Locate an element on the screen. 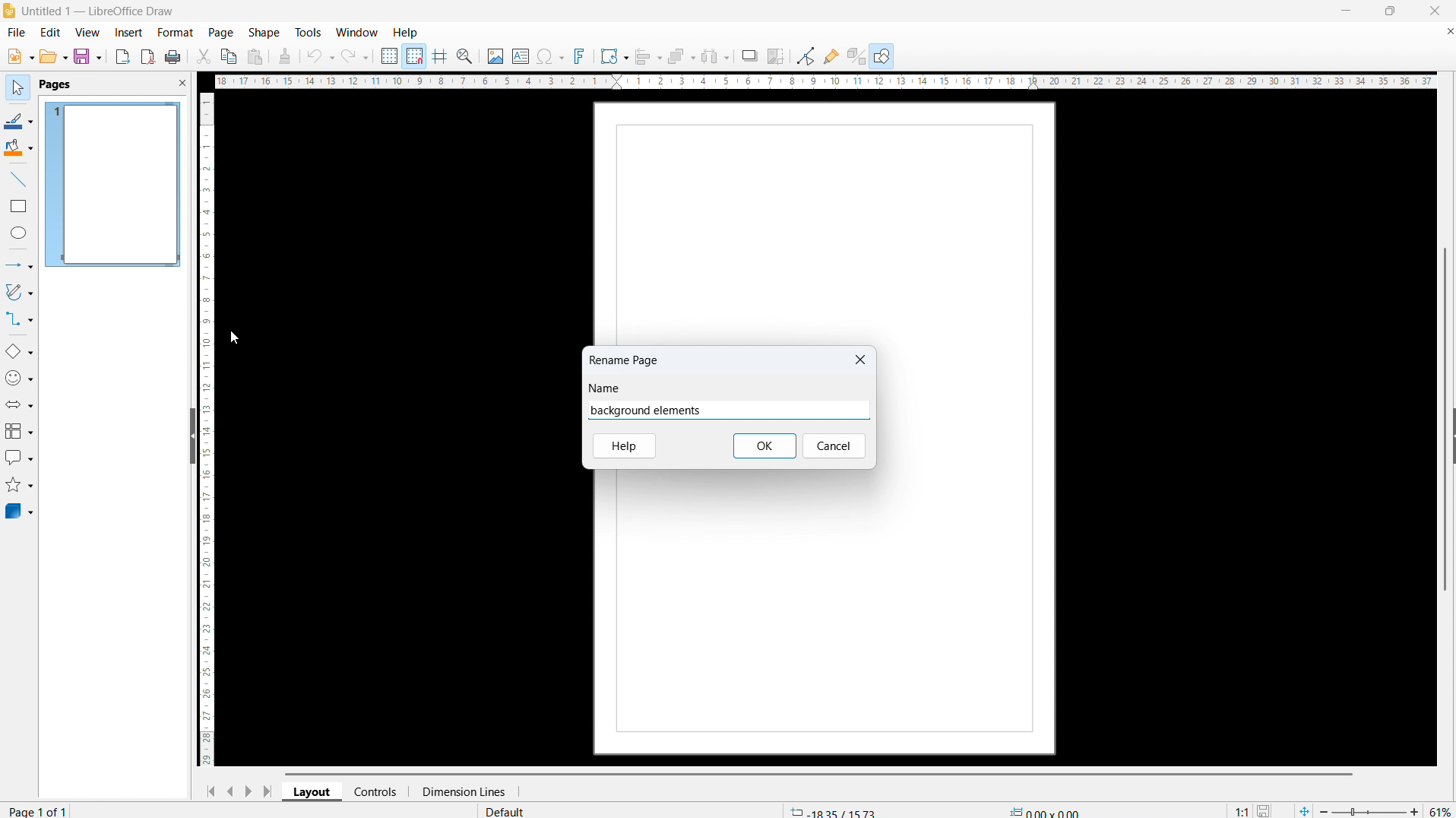 Image resolution: width=1456 pixels, height=818 pixels. Horizontal ruler  is located at coordinates (824, 81).